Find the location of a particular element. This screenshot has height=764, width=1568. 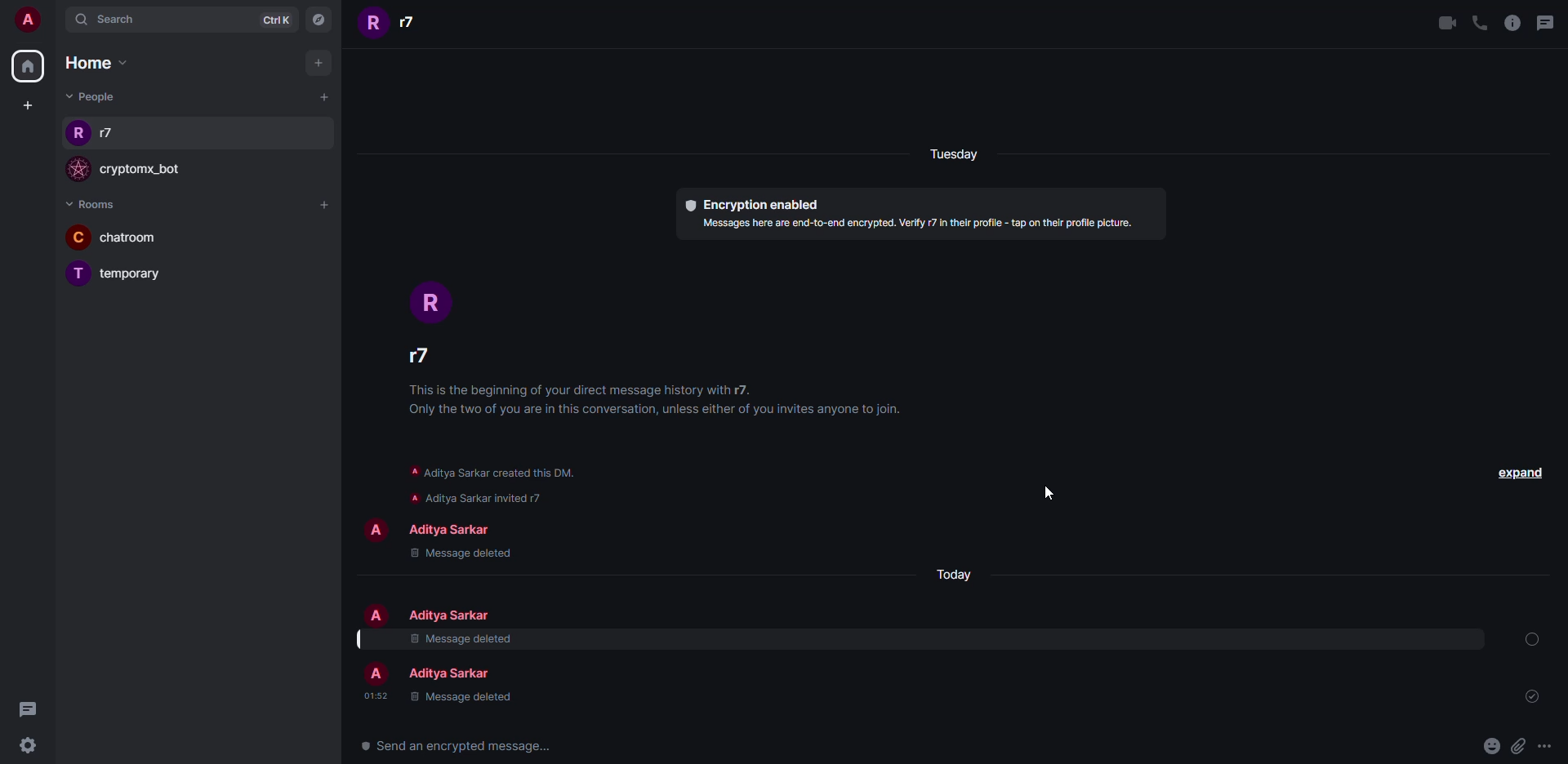

room is located at coordinates (136, 238).